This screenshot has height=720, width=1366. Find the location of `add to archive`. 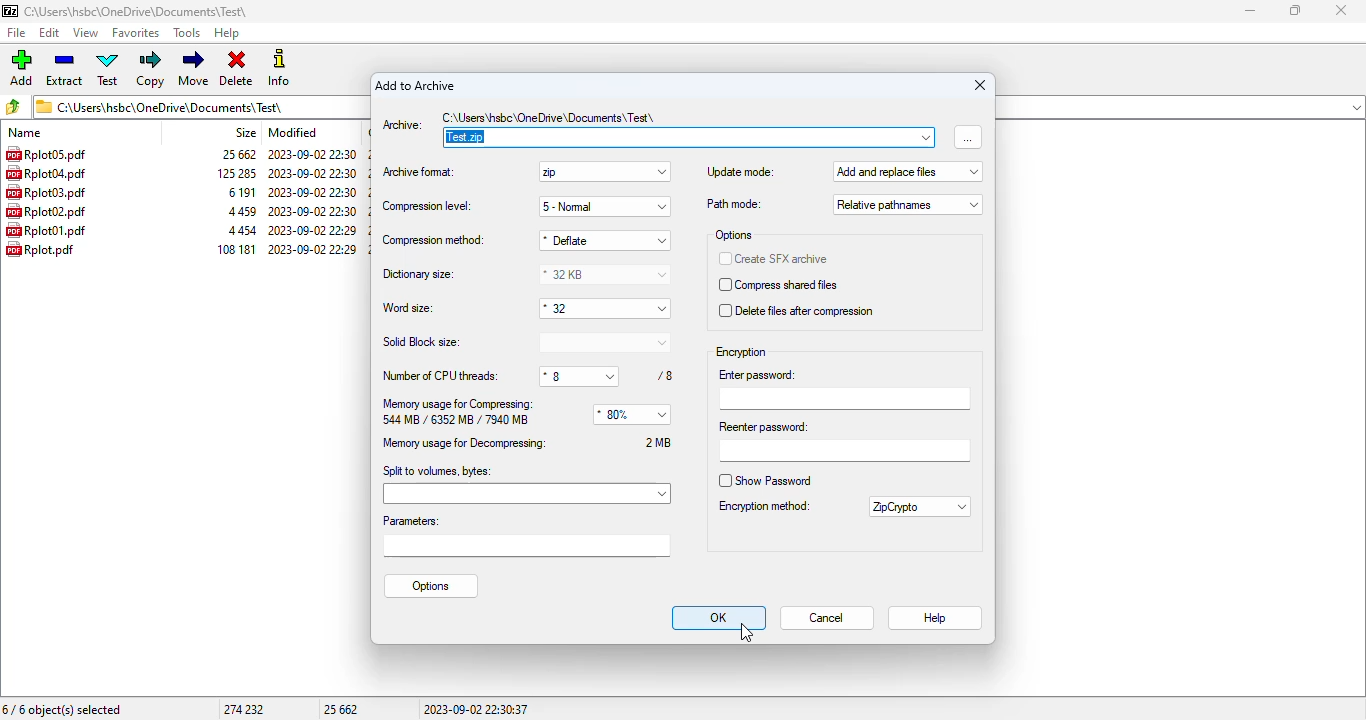

add to archive is located at coordinates (416, 85).